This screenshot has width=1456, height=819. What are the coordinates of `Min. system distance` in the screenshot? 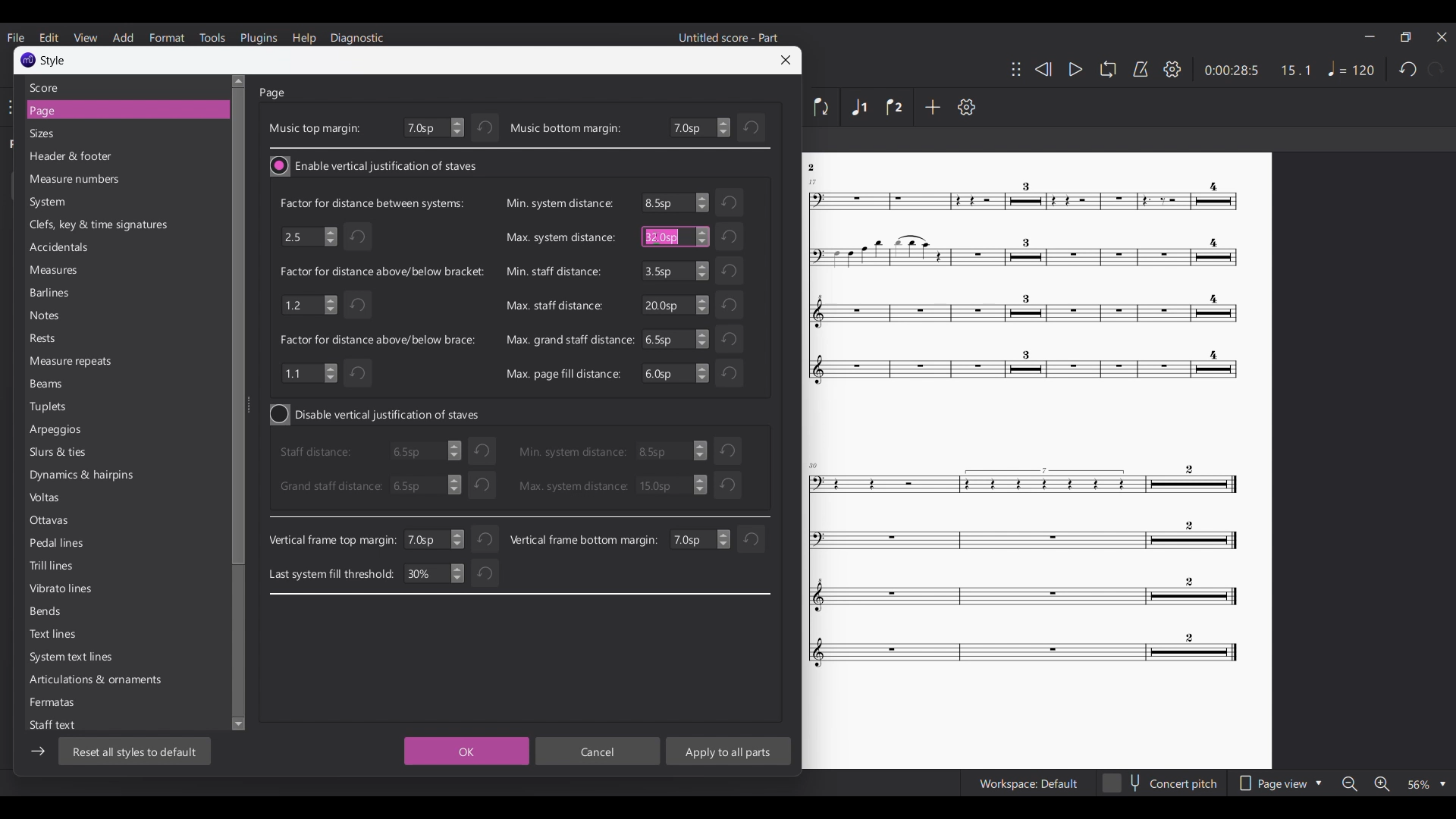 It's located at (557, 203).